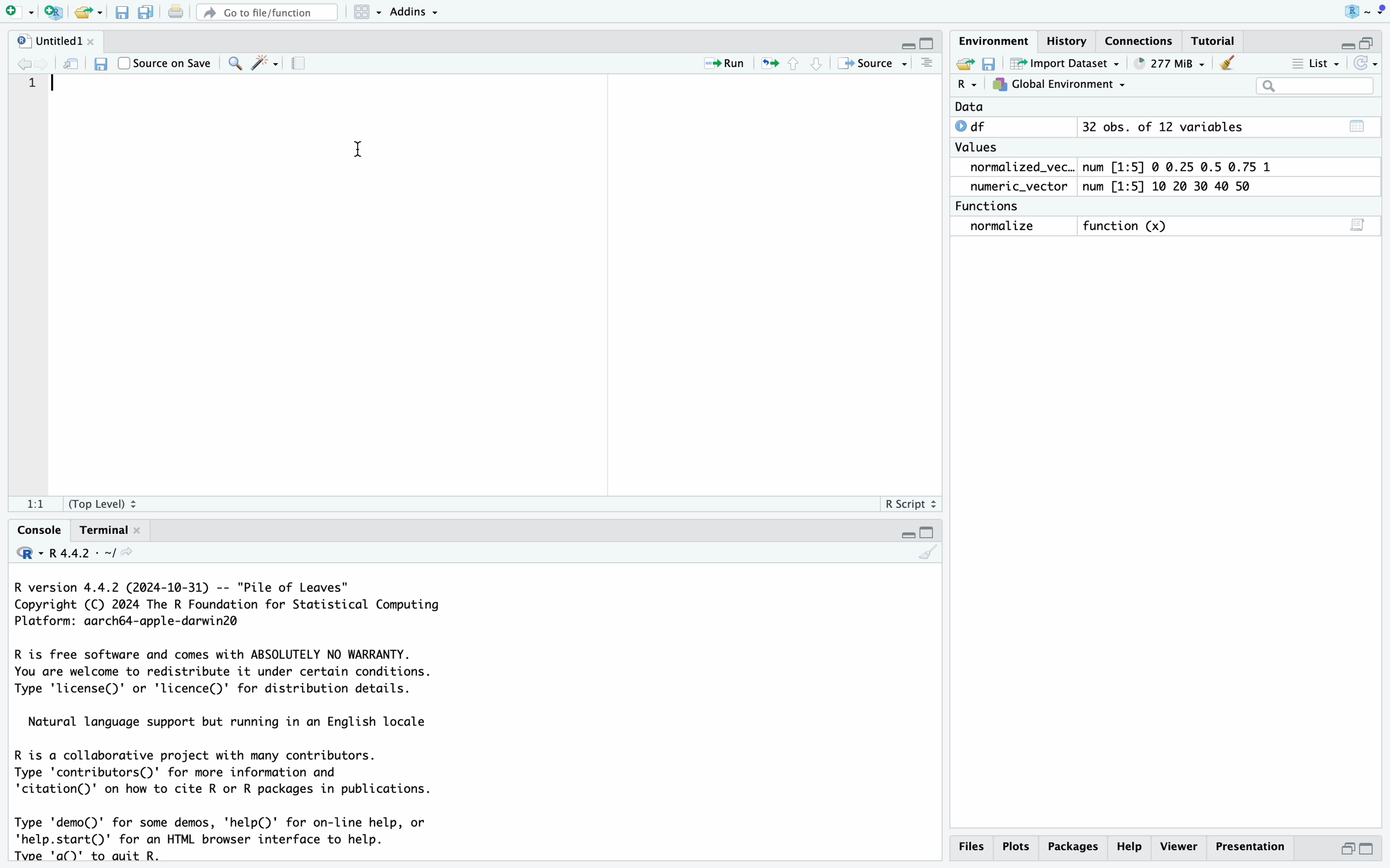  What do you see at coordinates (991, 205) in the screenshot?
I see `Functions` at bounding box center [991, 205].